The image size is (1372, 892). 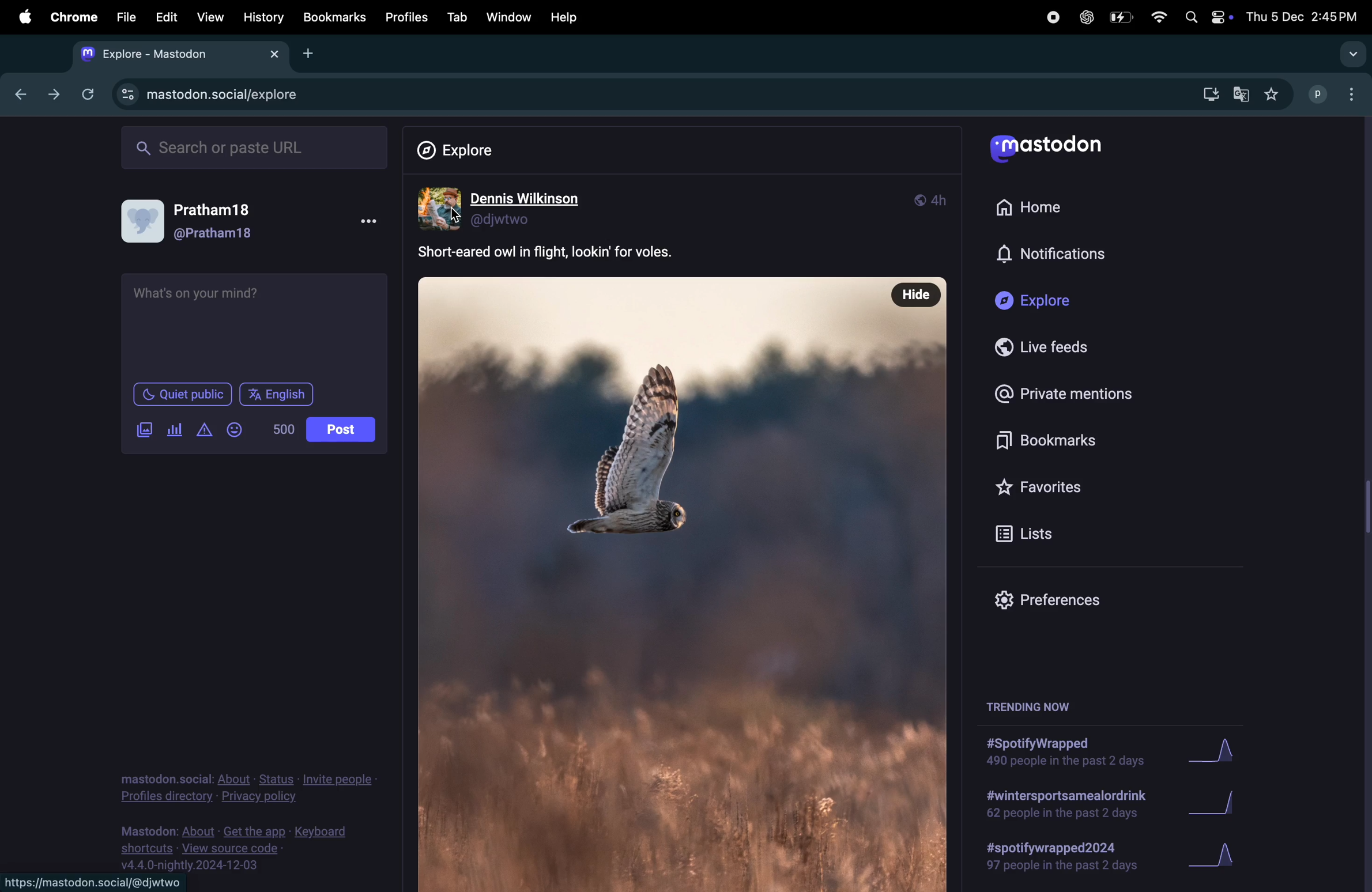 I want to click on private mentions, so click(x=1069, y=396).